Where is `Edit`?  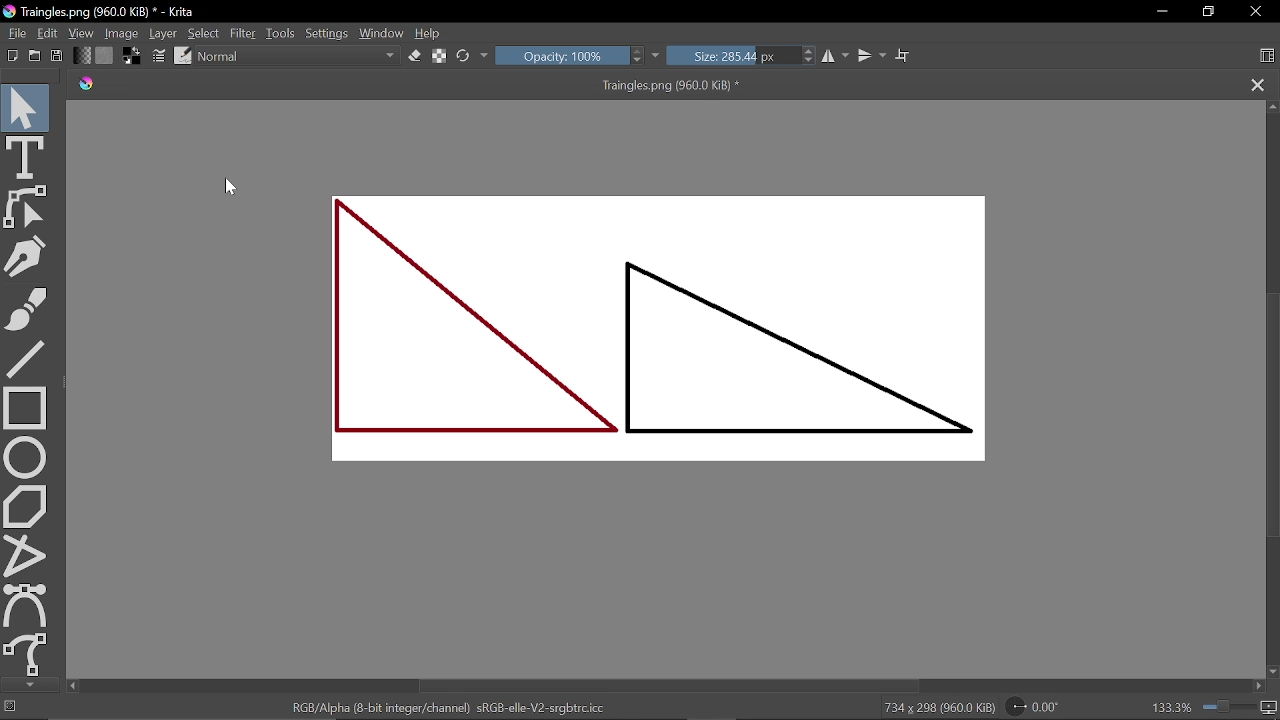
Edit is located at coordinates (47, 33).